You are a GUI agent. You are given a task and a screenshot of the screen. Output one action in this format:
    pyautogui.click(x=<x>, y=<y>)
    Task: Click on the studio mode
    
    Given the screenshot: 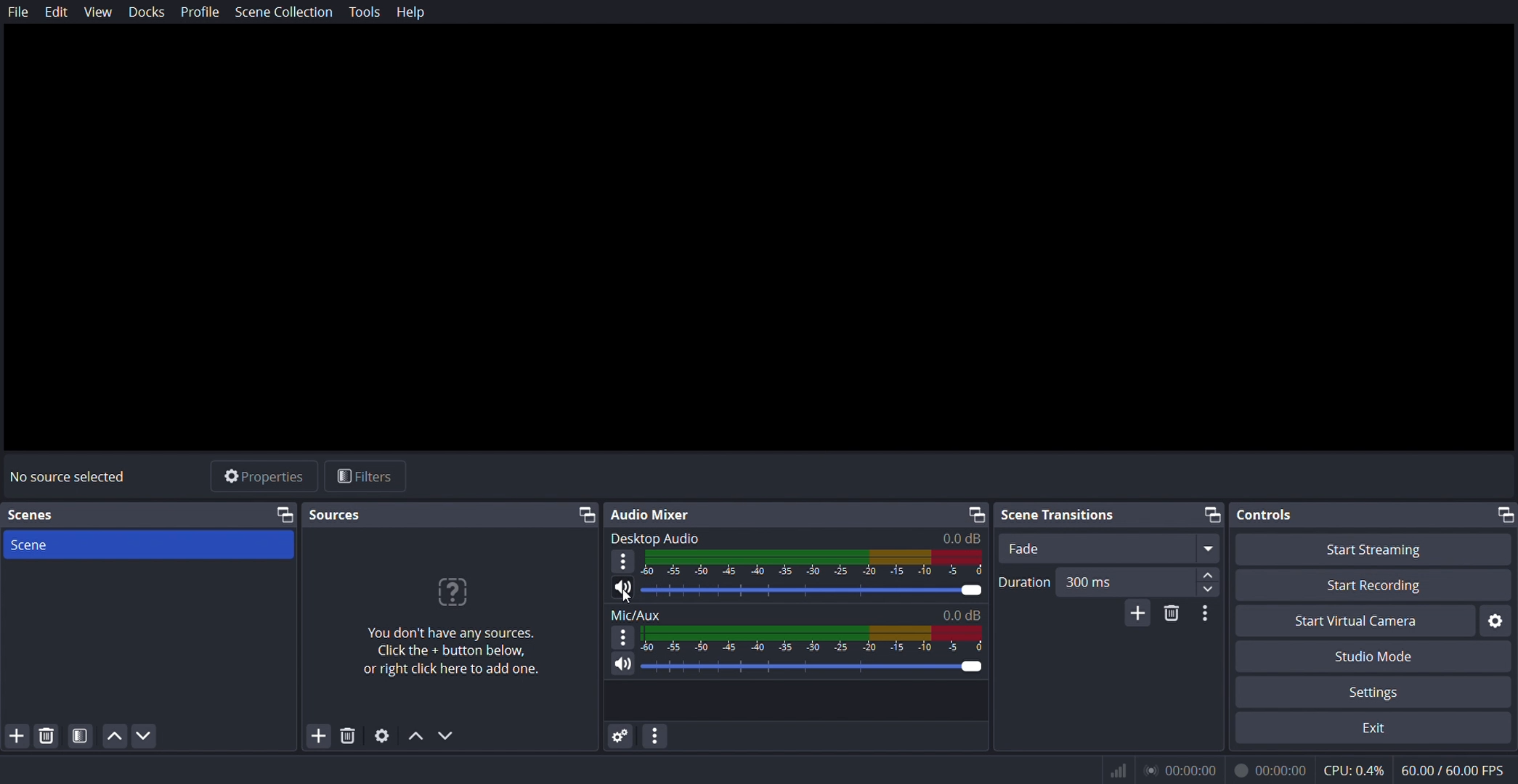 What is the action you would take?
    pyautogui.click(x=1369, y=657)
    